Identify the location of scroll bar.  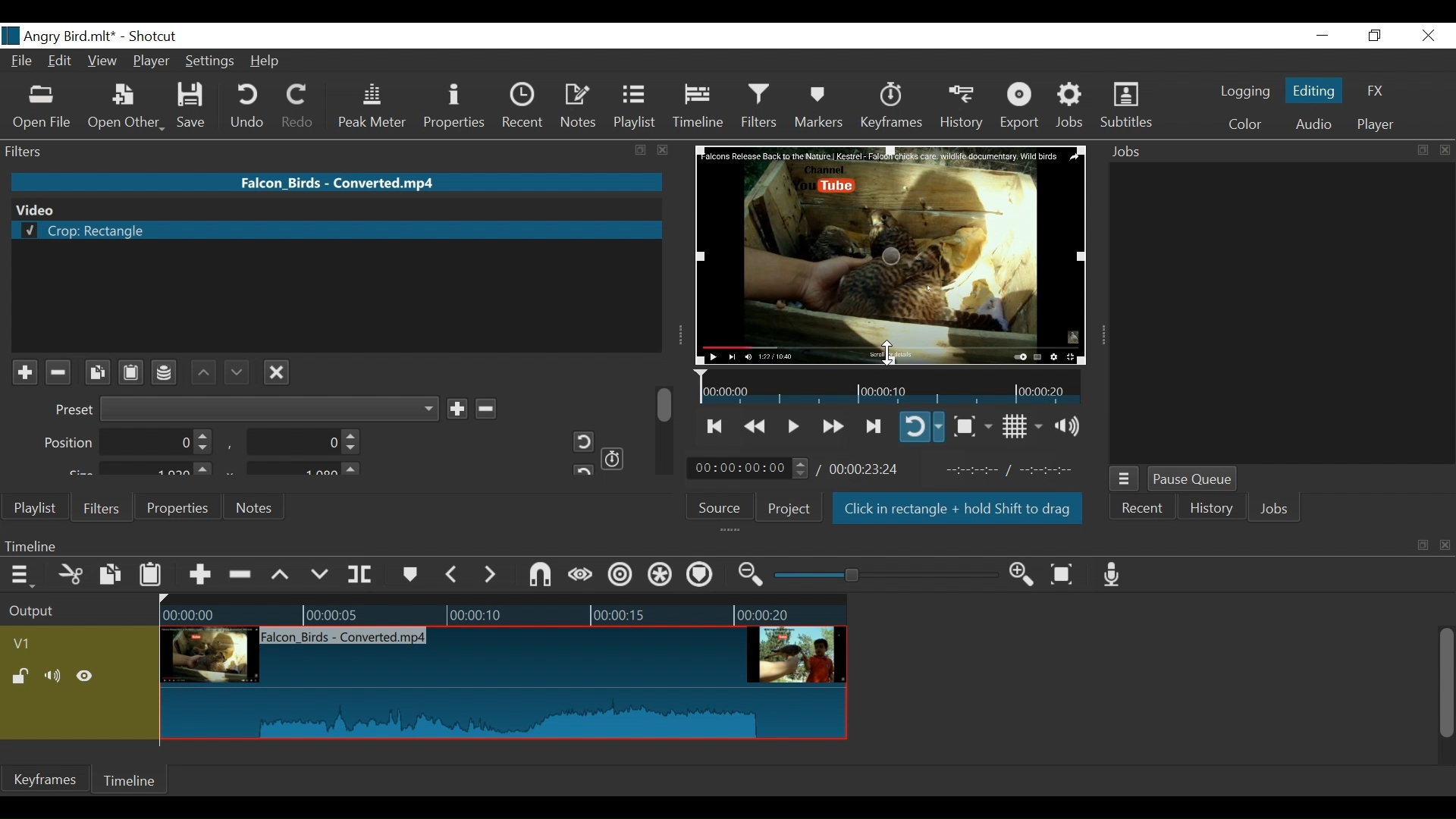
(666, 403).